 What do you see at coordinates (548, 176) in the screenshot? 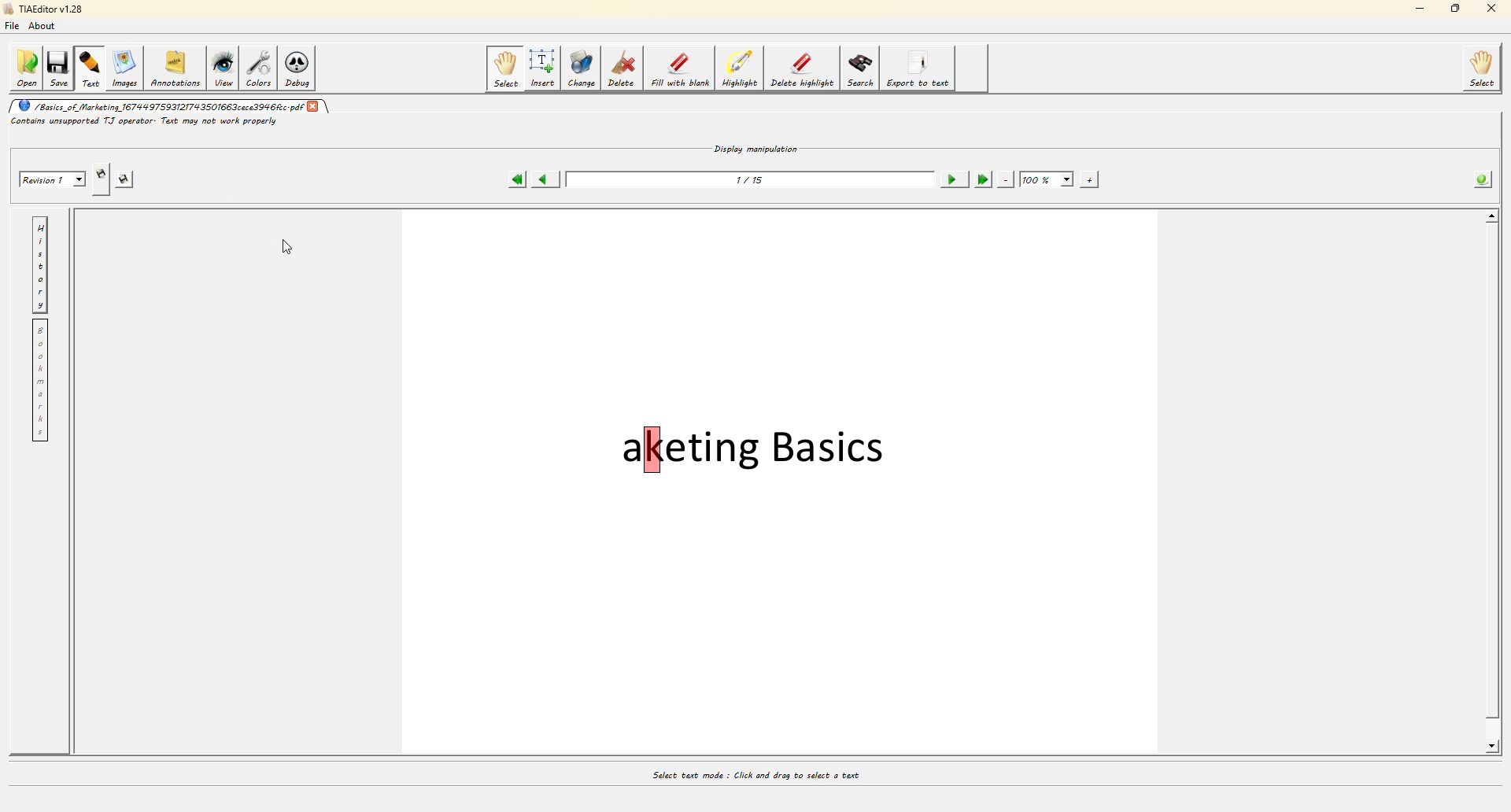
I see `previous page` at bounding box center [548, 176].